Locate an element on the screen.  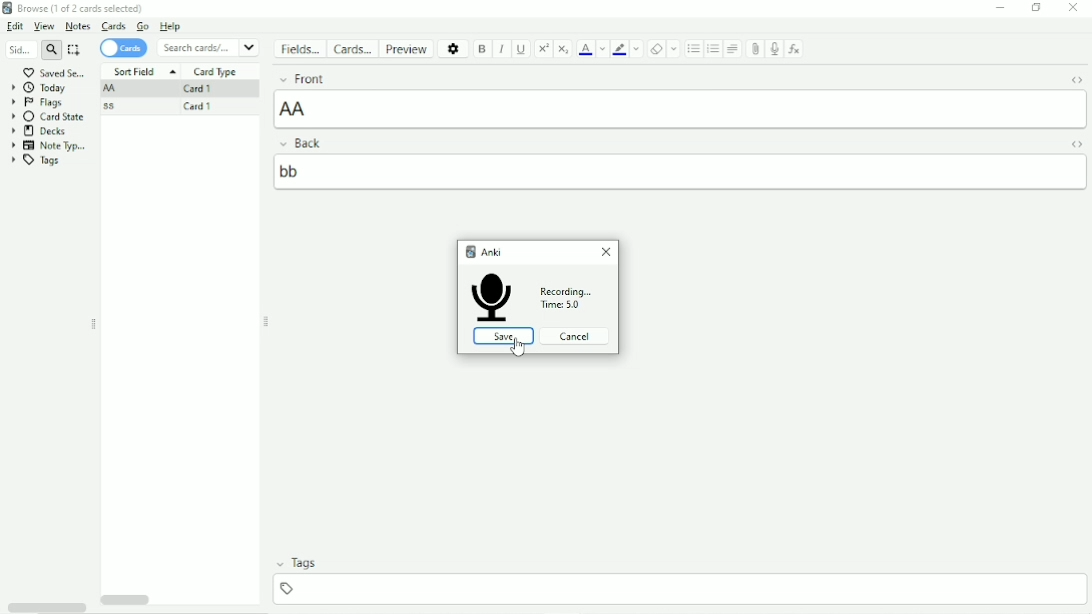
Card 1 is located at coordinates (198, 106).